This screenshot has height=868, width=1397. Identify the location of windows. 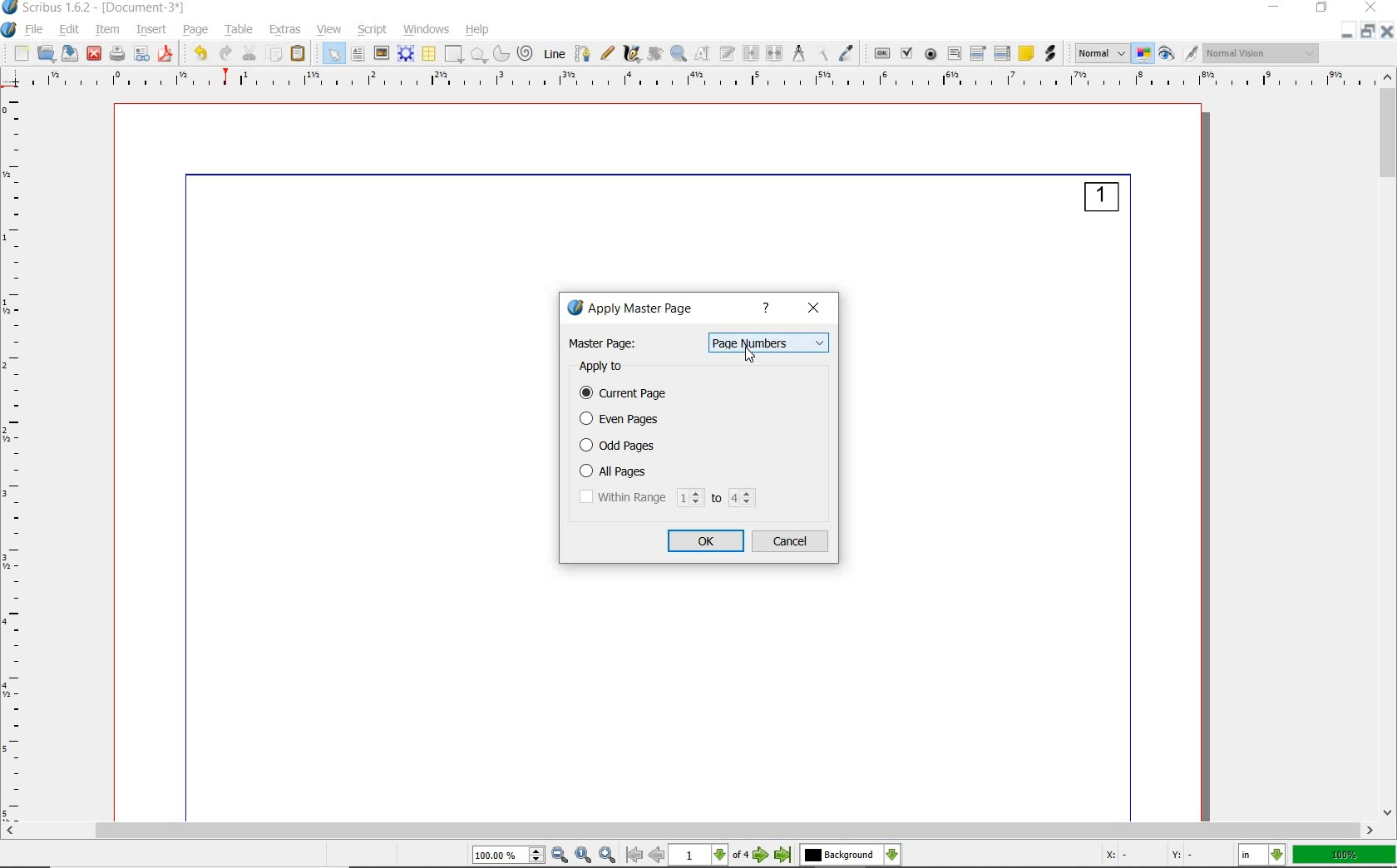
(427, 31).